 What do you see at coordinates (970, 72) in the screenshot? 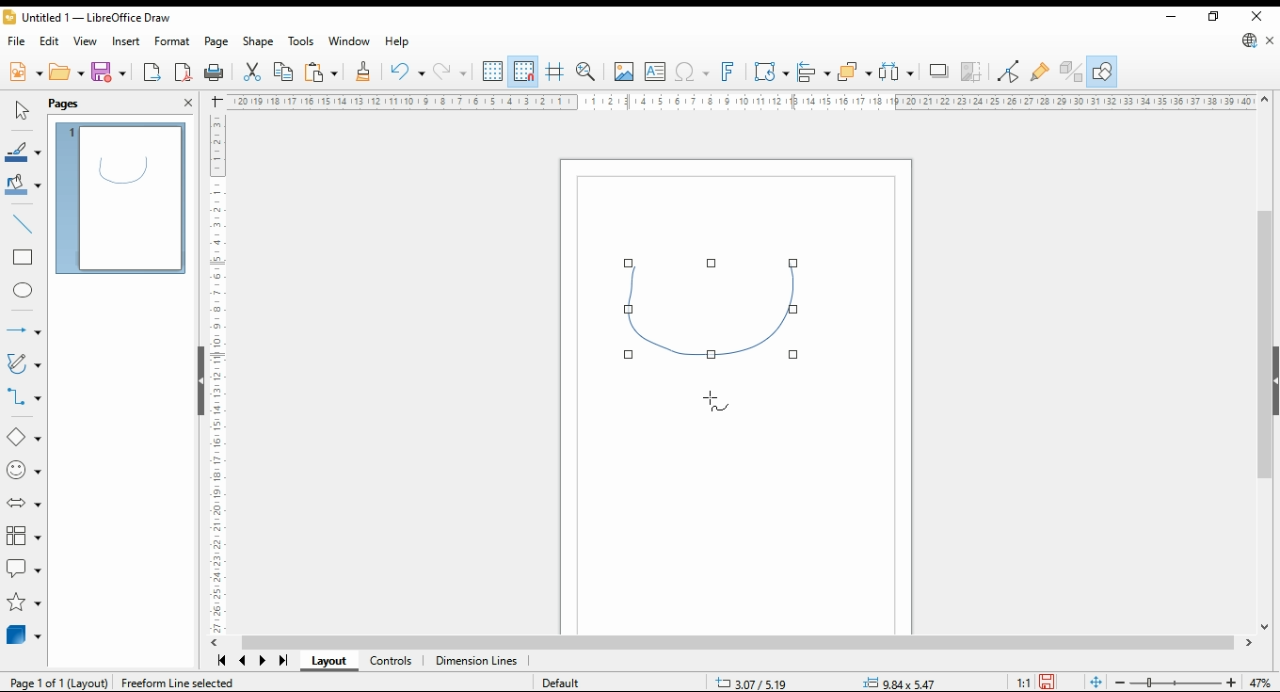
I see `crop` at bounding box center [970, 72].